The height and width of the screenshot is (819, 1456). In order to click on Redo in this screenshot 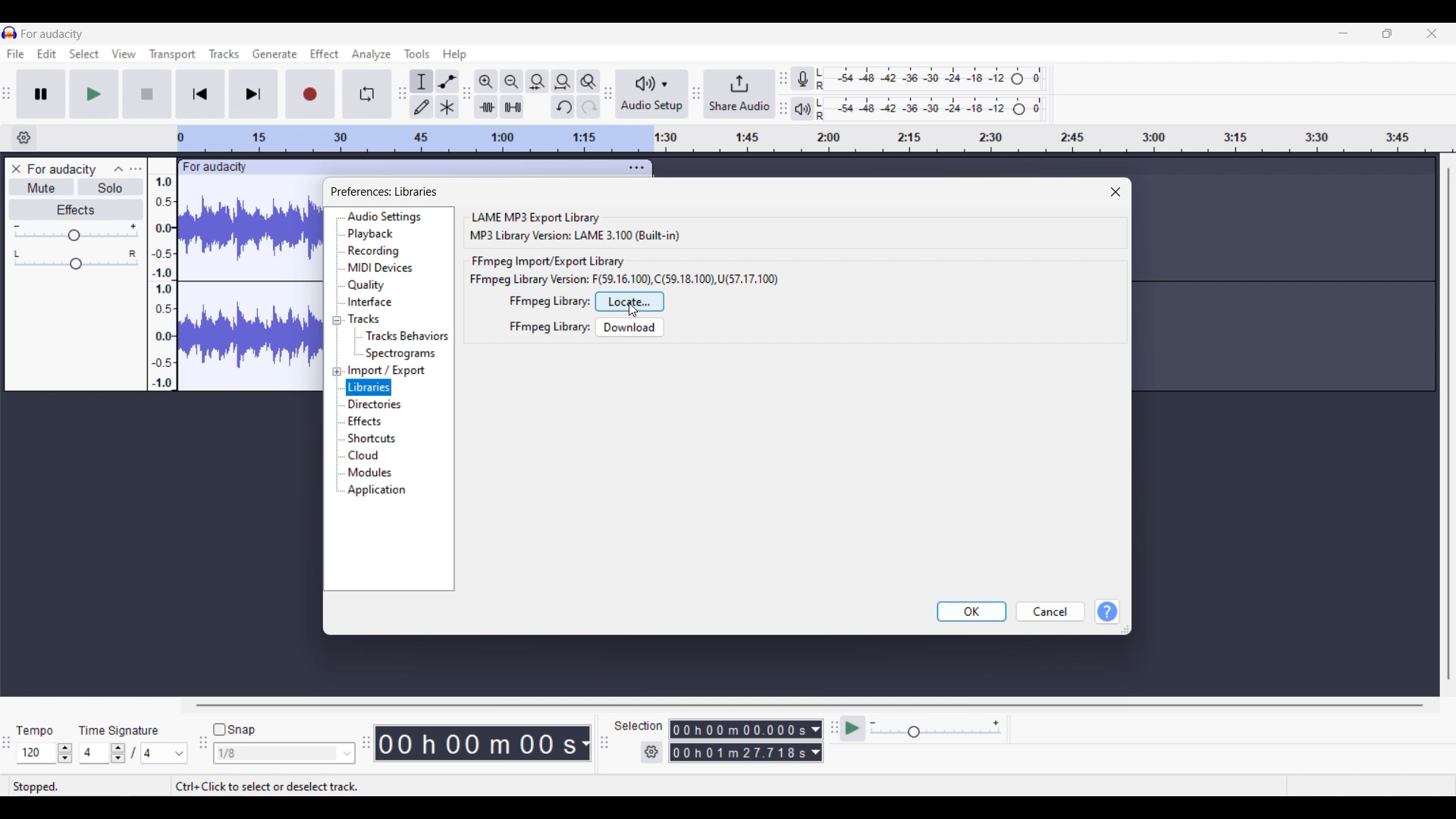, I will do `click(588, 107)`.